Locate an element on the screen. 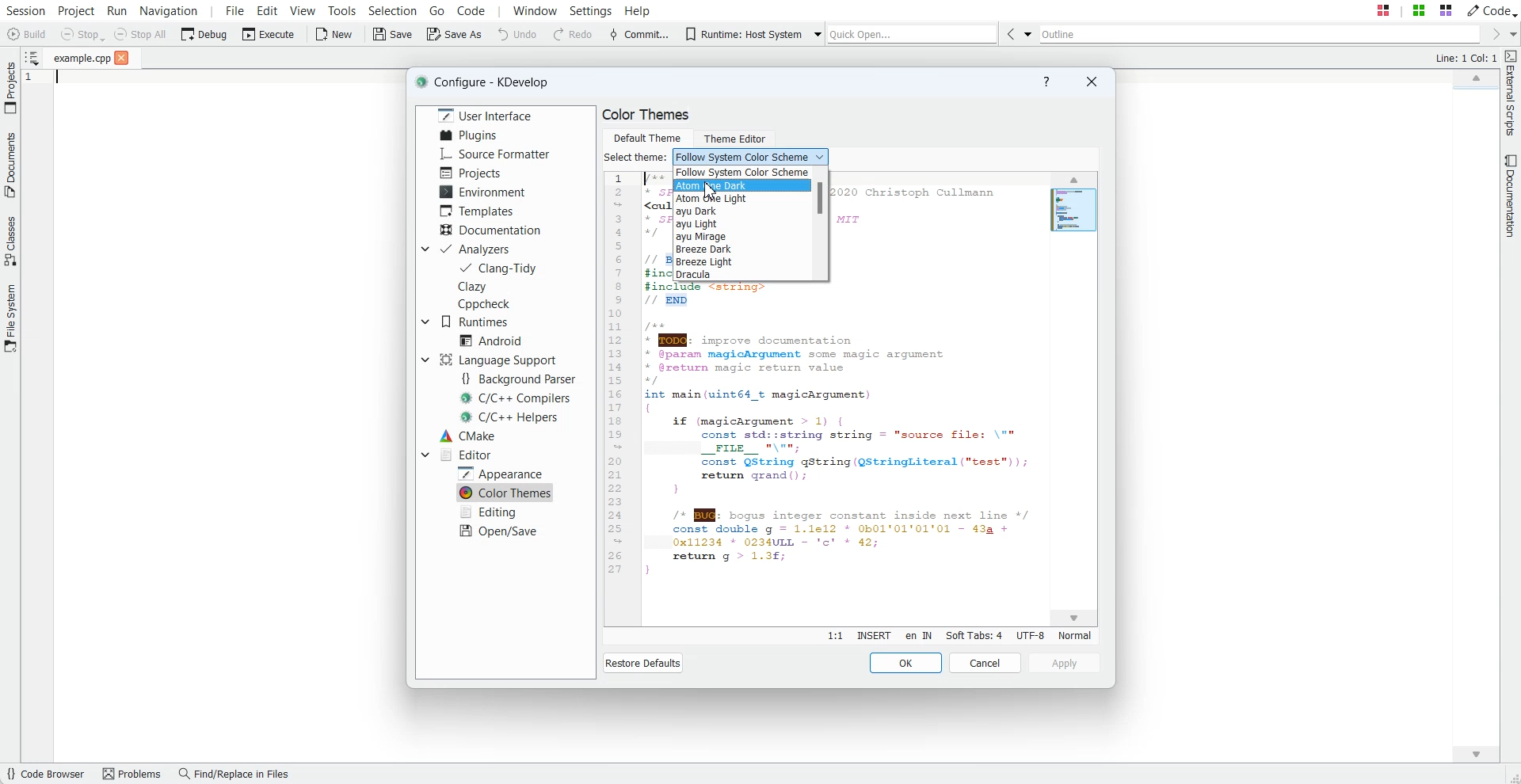 The image size is (1521, 784). Color Themes selected is located at coordinates (506, 493).